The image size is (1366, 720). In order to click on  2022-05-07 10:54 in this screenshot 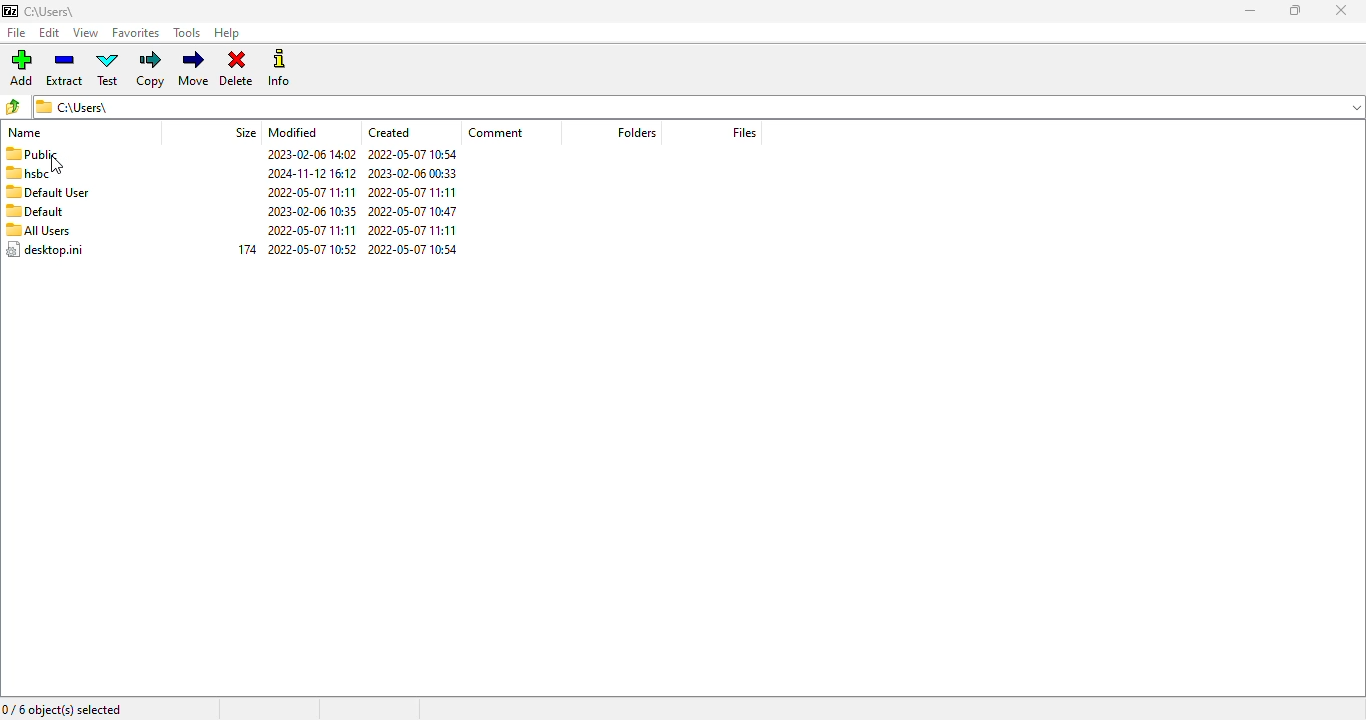, I will do `click(418, 250)`.